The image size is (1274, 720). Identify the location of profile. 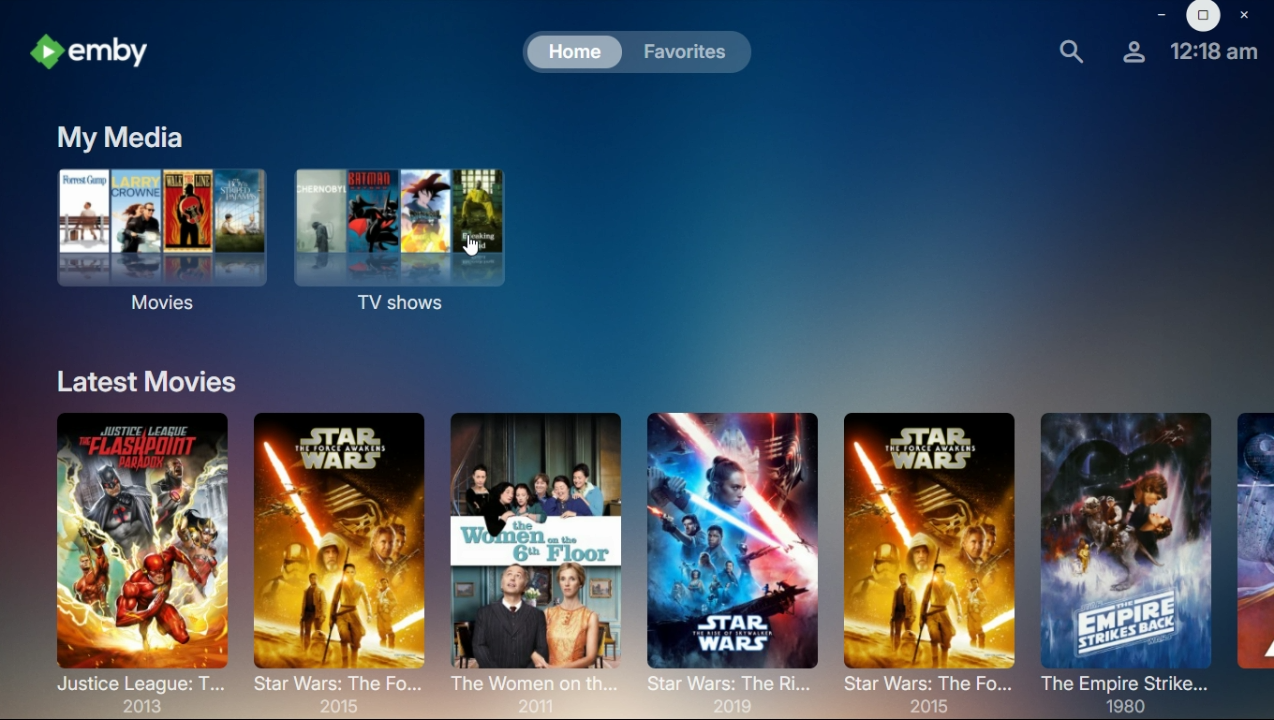
(1135, 49).